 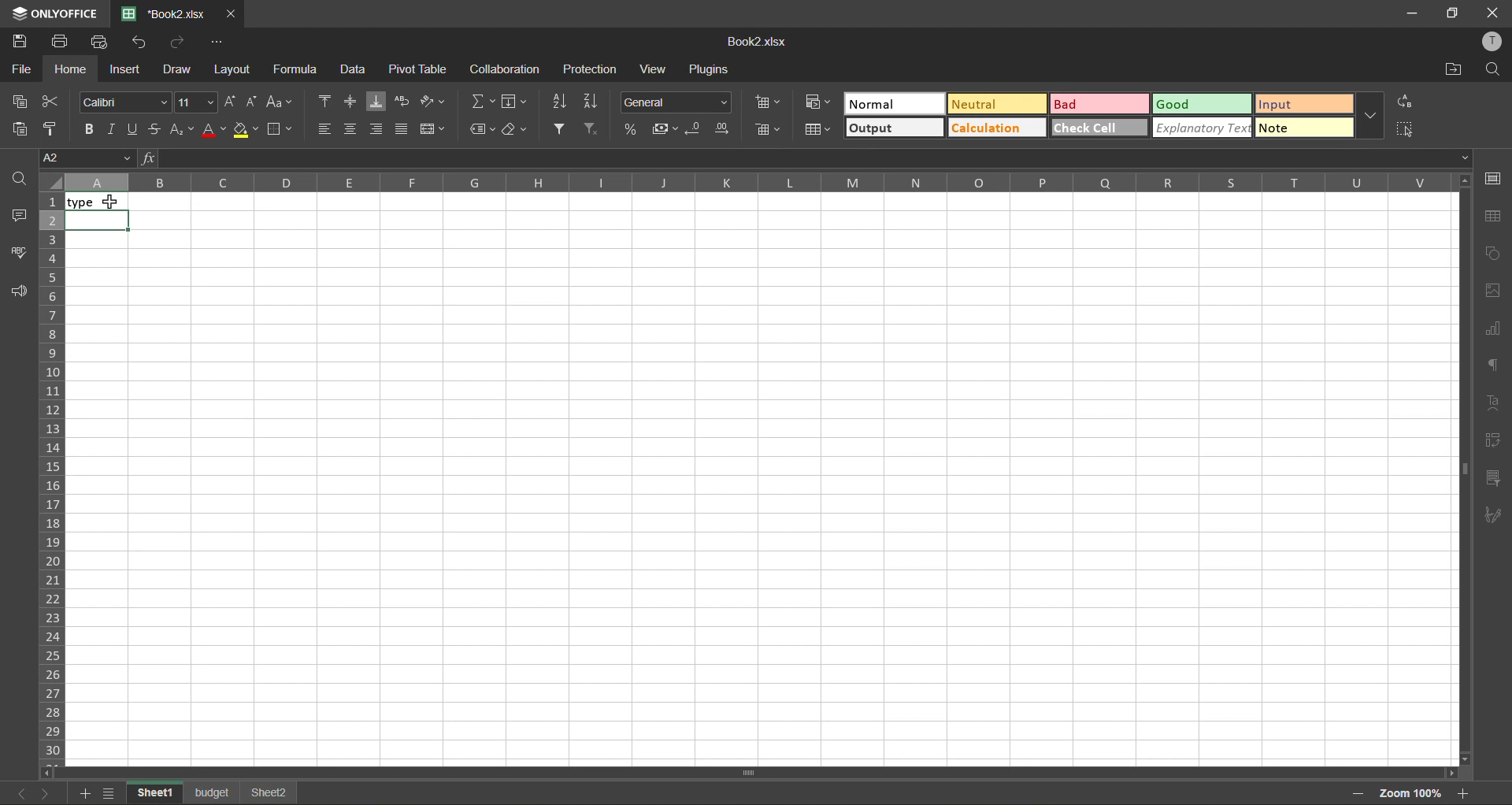 What do you see at coordinates (665, 129) in the screenshot?
I see `accounting` at bounding box center [665, 129].